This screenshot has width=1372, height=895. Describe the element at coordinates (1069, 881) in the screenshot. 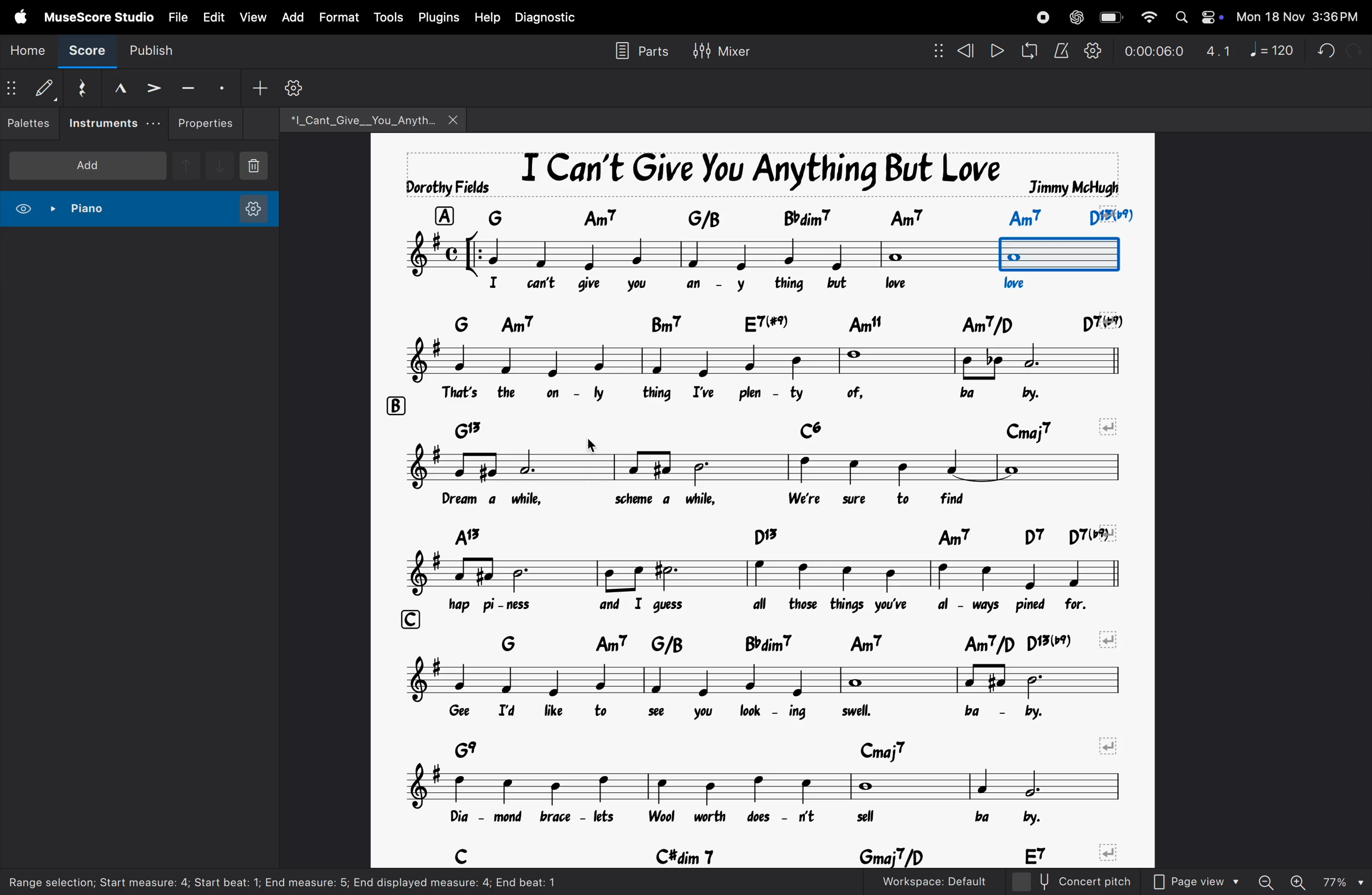

I see `concert pitch` at that location.